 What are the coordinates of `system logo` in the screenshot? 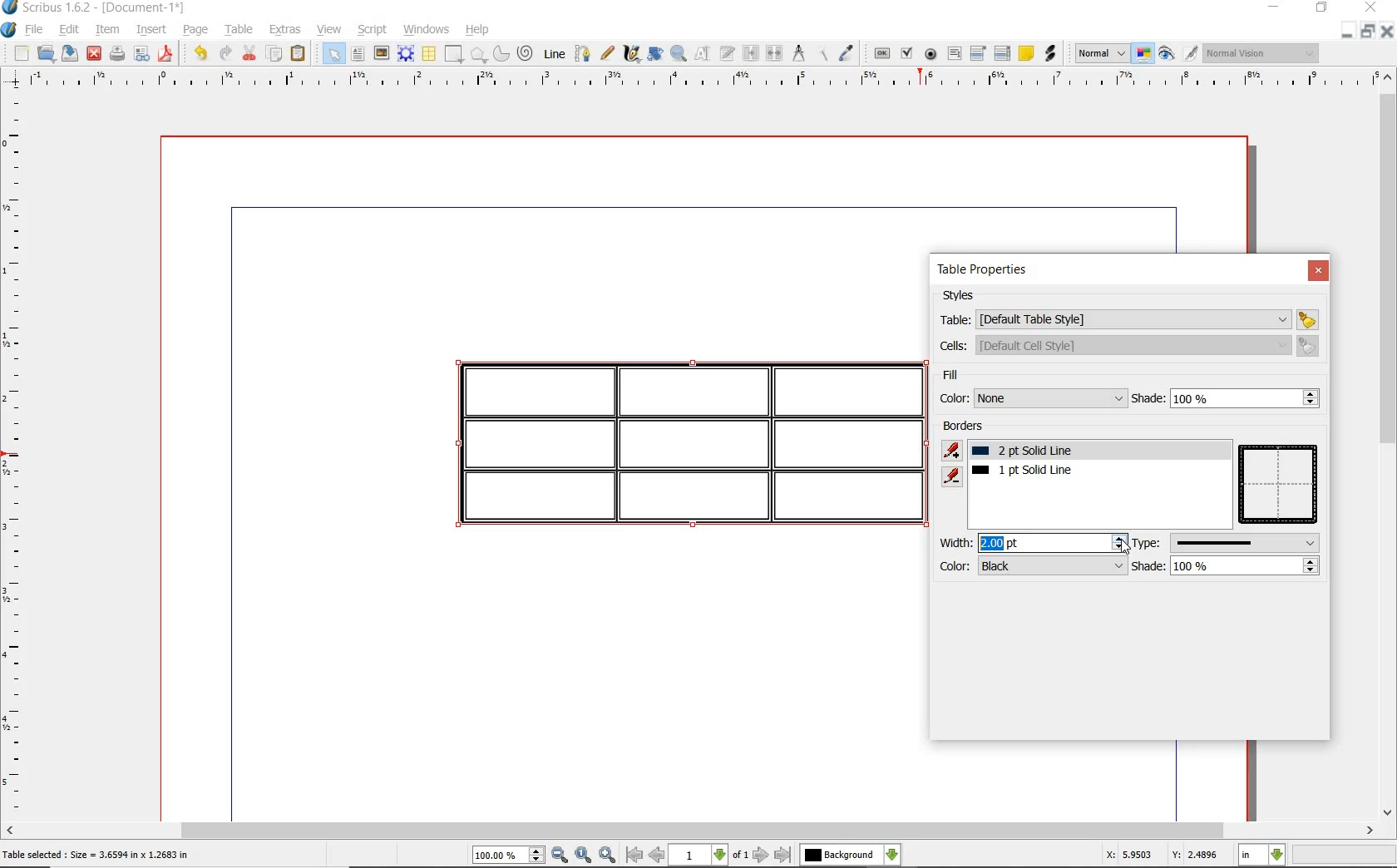 It's located at (9, 30).